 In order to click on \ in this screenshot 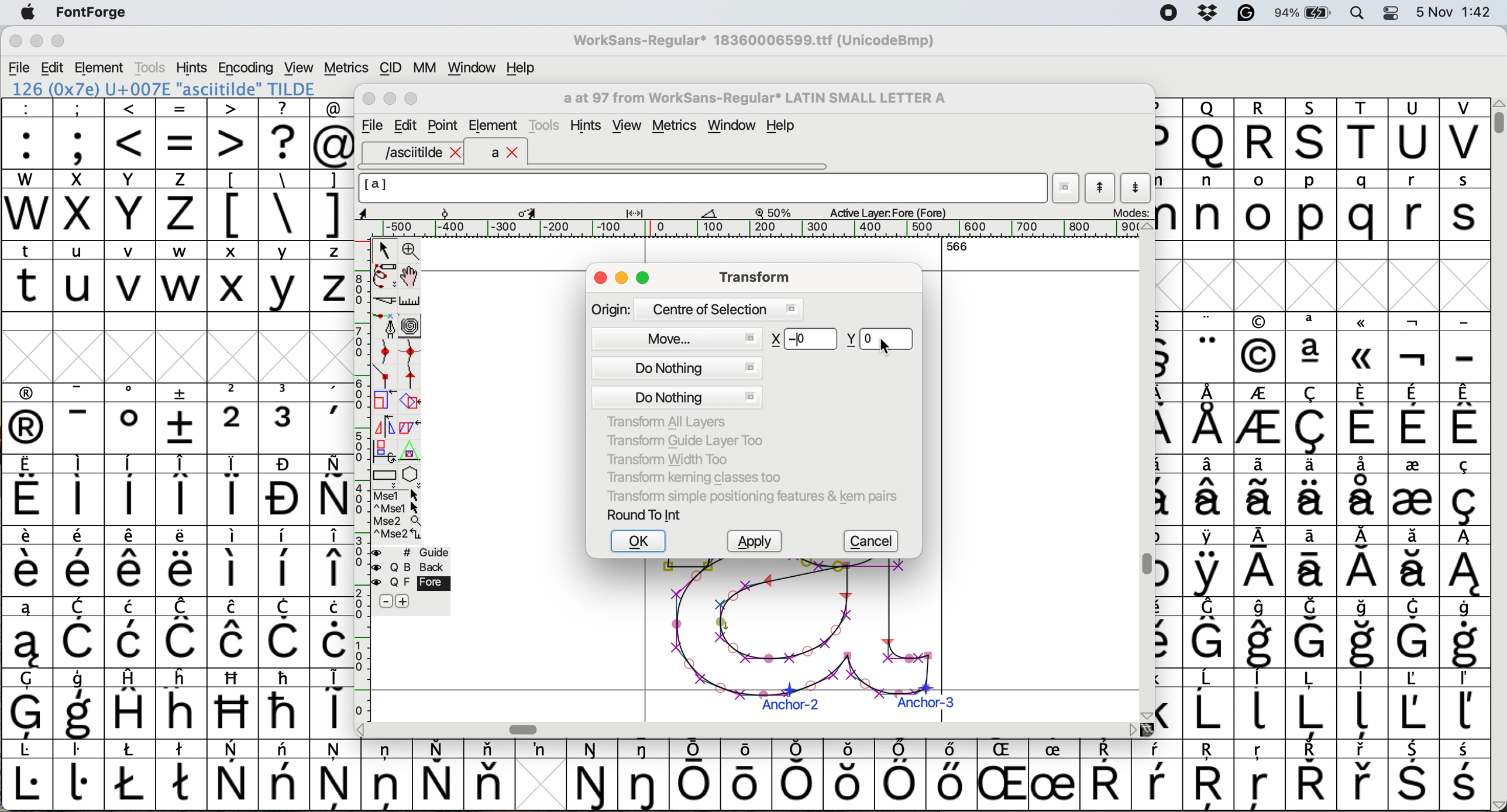, I will do `click(283, 205)`.